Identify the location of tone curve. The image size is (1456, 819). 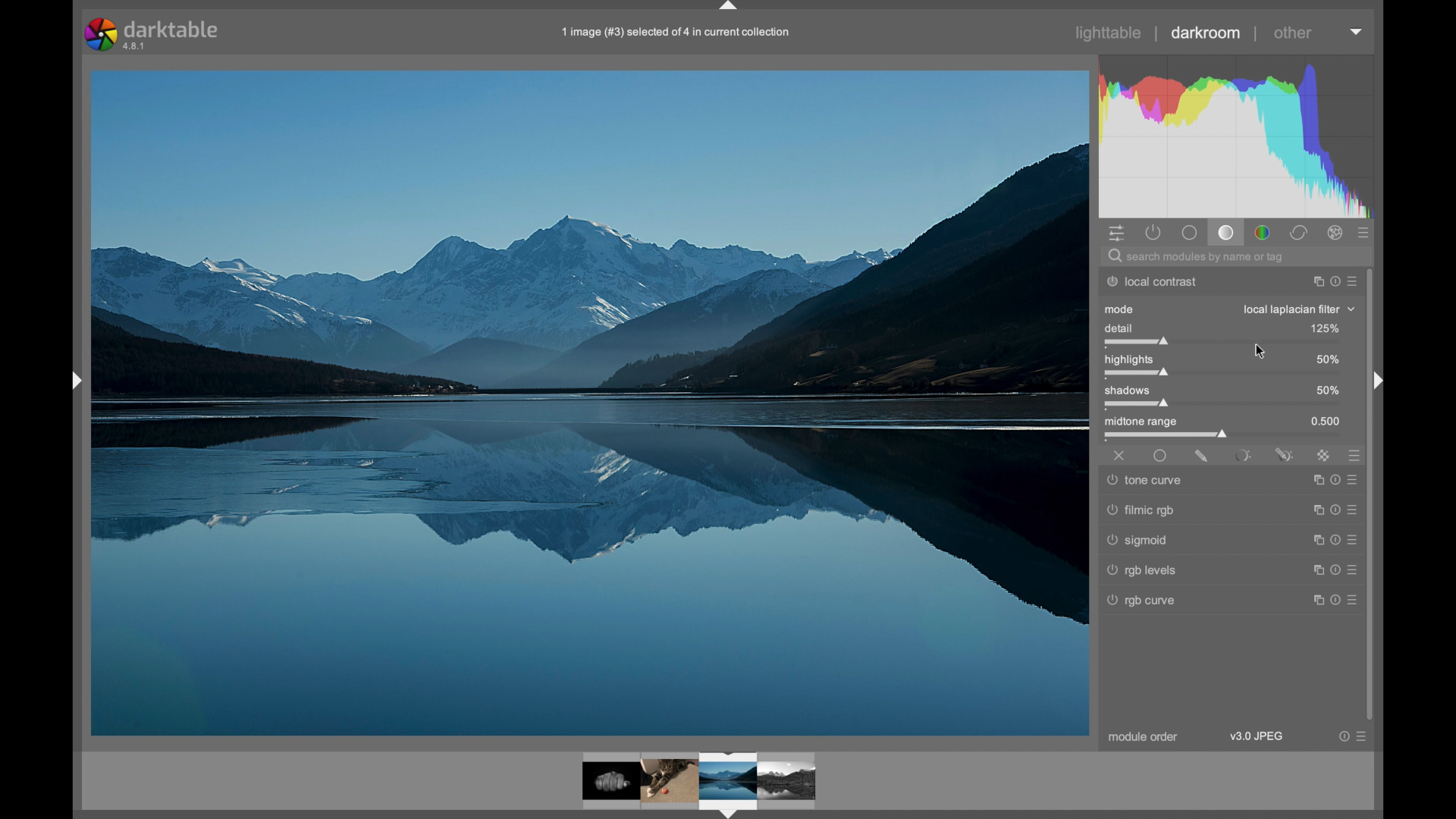
(1147, 479).